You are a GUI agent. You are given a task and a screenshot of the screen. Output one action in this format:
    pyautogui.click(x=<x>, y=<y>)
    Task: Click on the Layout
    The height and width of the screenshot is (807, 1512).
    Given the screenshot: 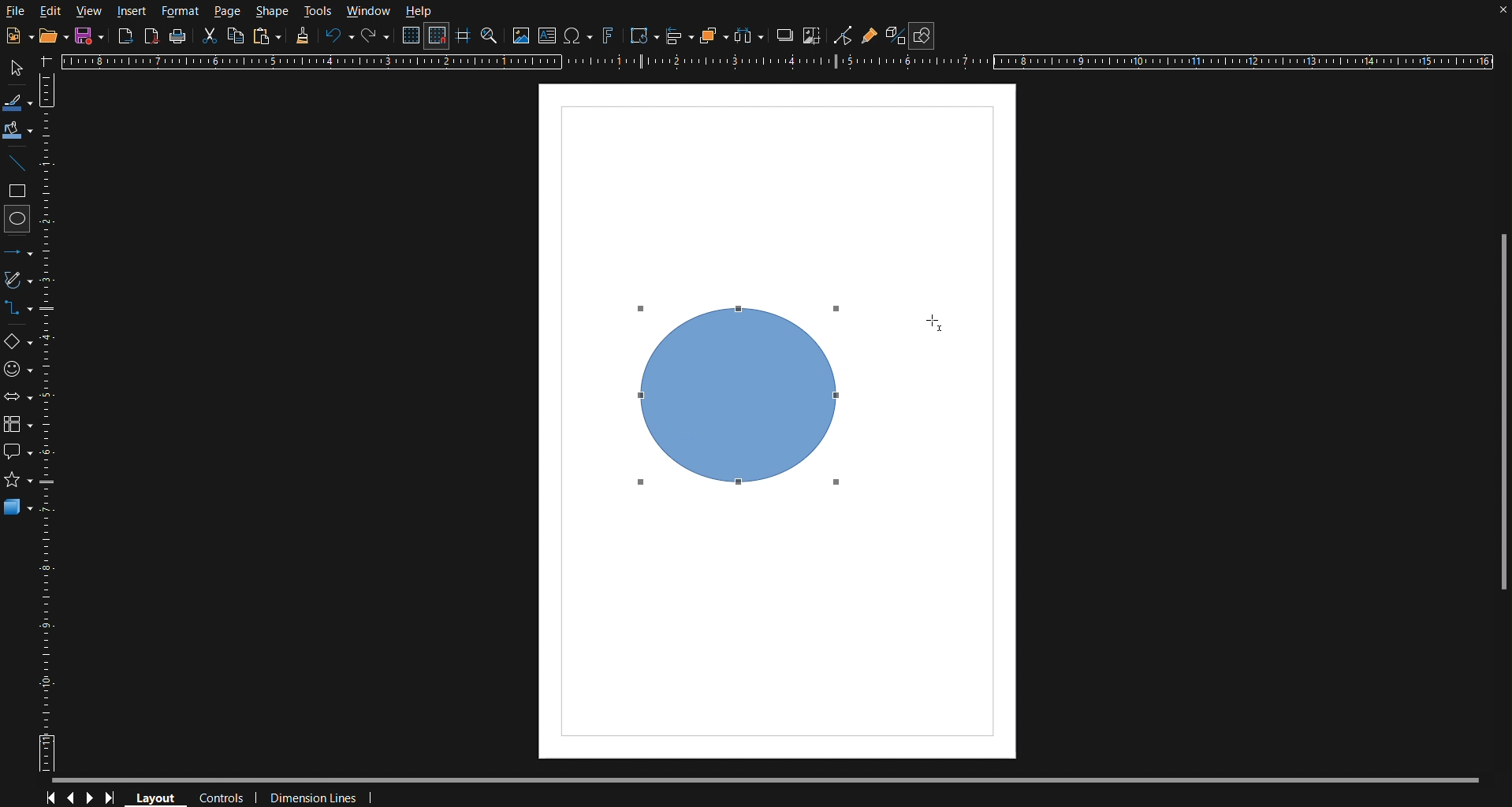 What is the action you would take?
    pyautogui.click(x=161, y=796)
    